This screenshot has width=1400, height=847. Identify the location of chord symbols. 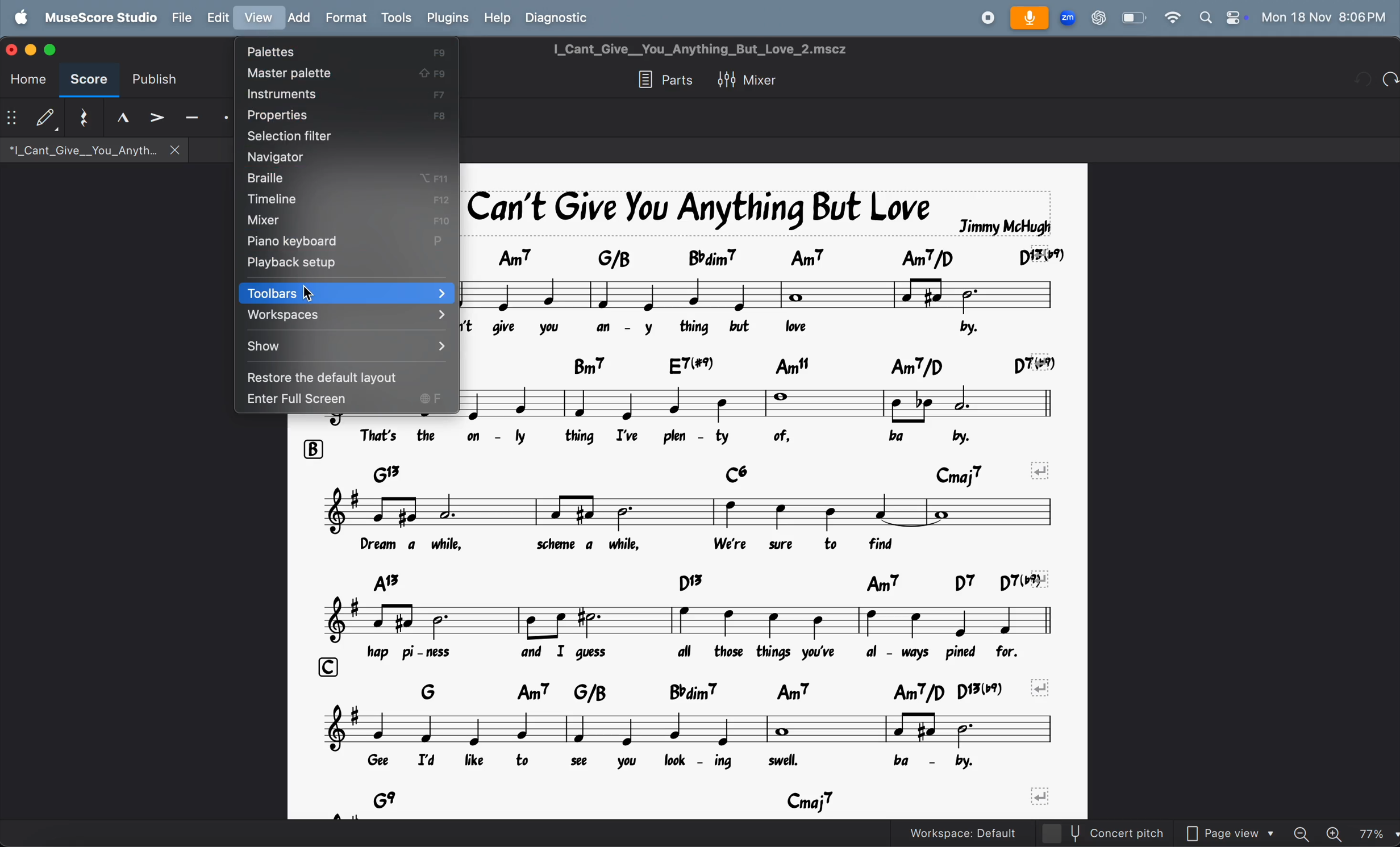
(703, 473).